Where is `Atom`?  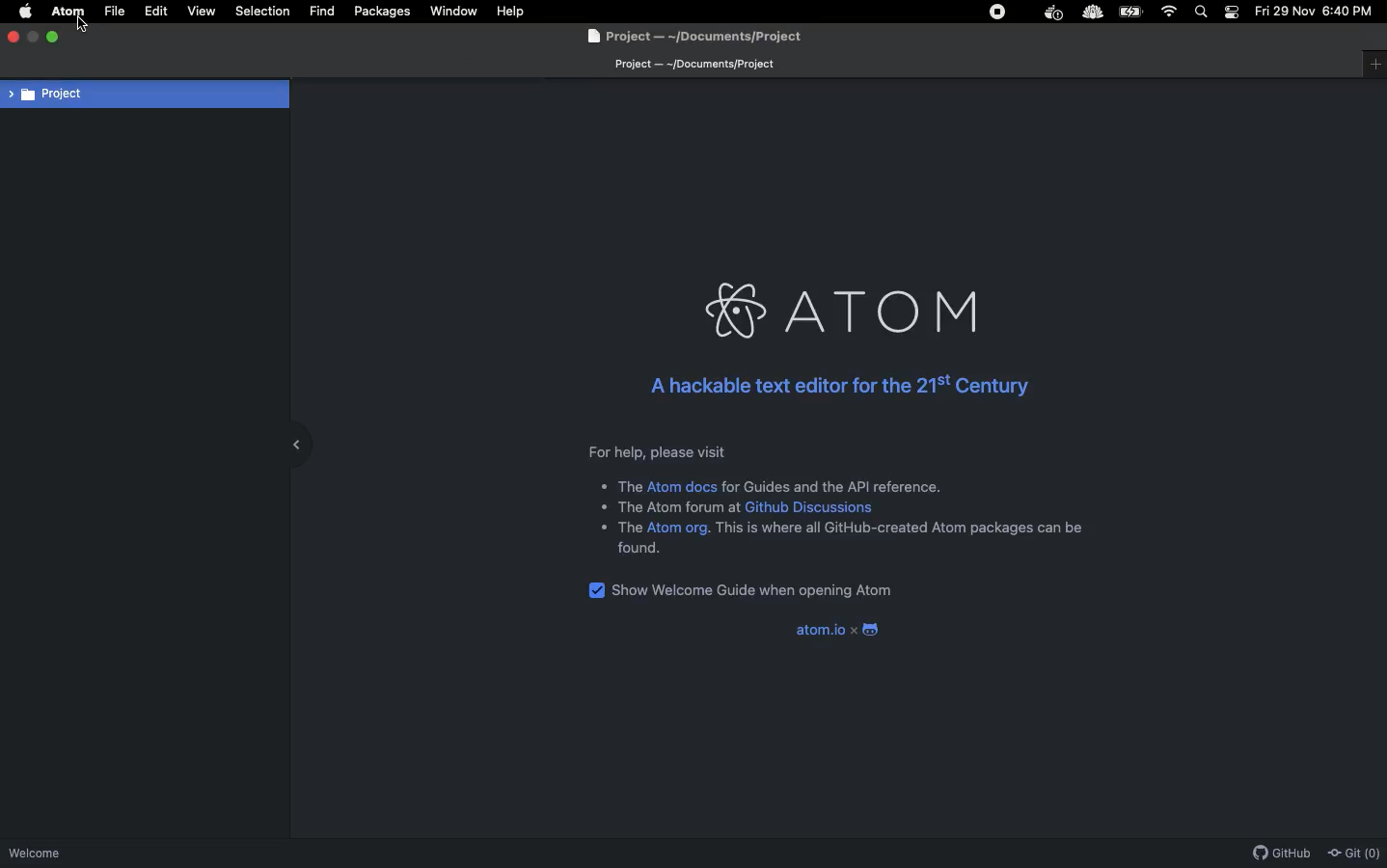 Atom is located at coordinates (854, 312).